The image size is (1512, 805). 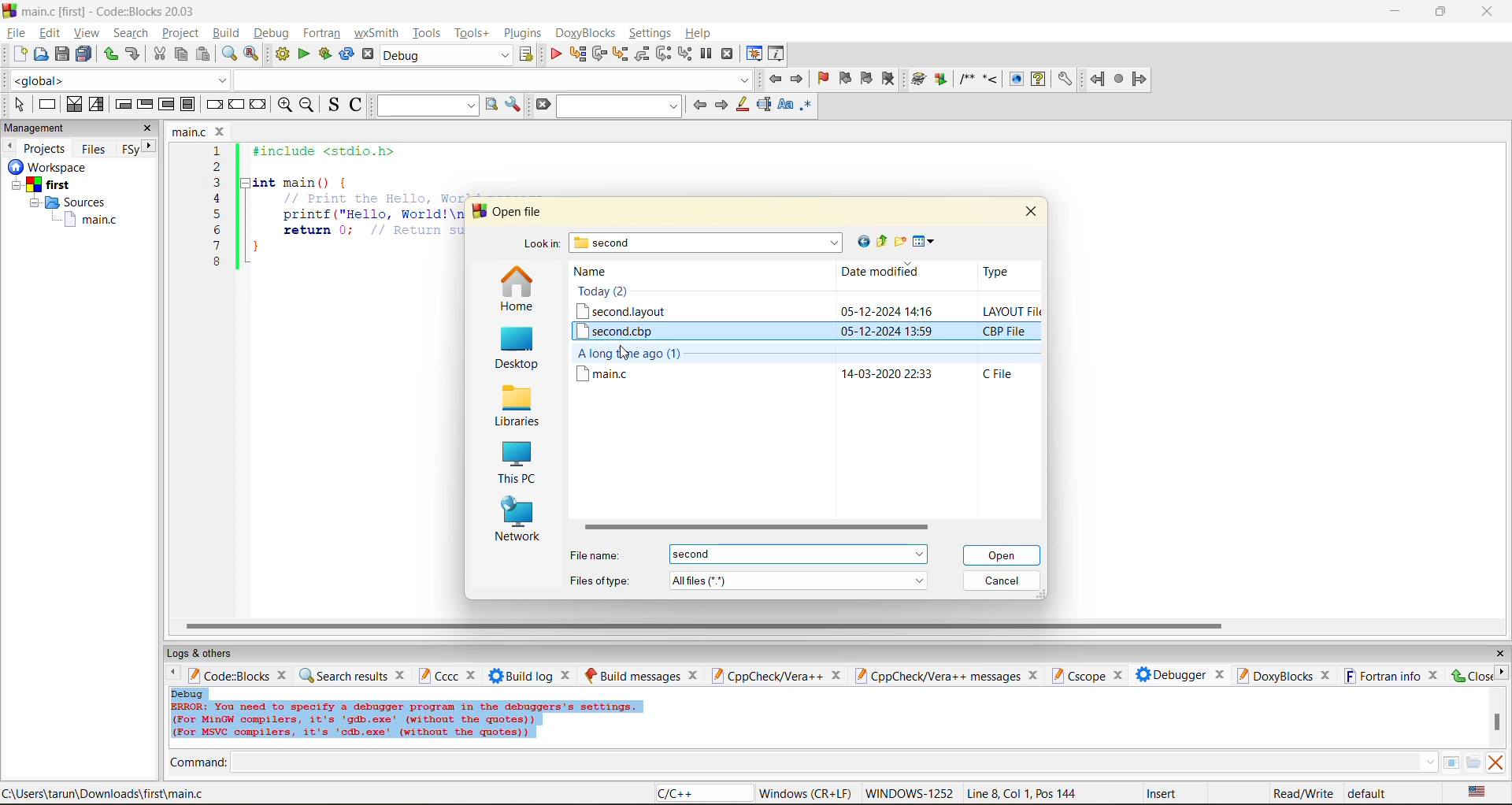 What do you see at coordinates (46, 148) in the screenshot?
I see `projects` at bounding box center [46, 148].